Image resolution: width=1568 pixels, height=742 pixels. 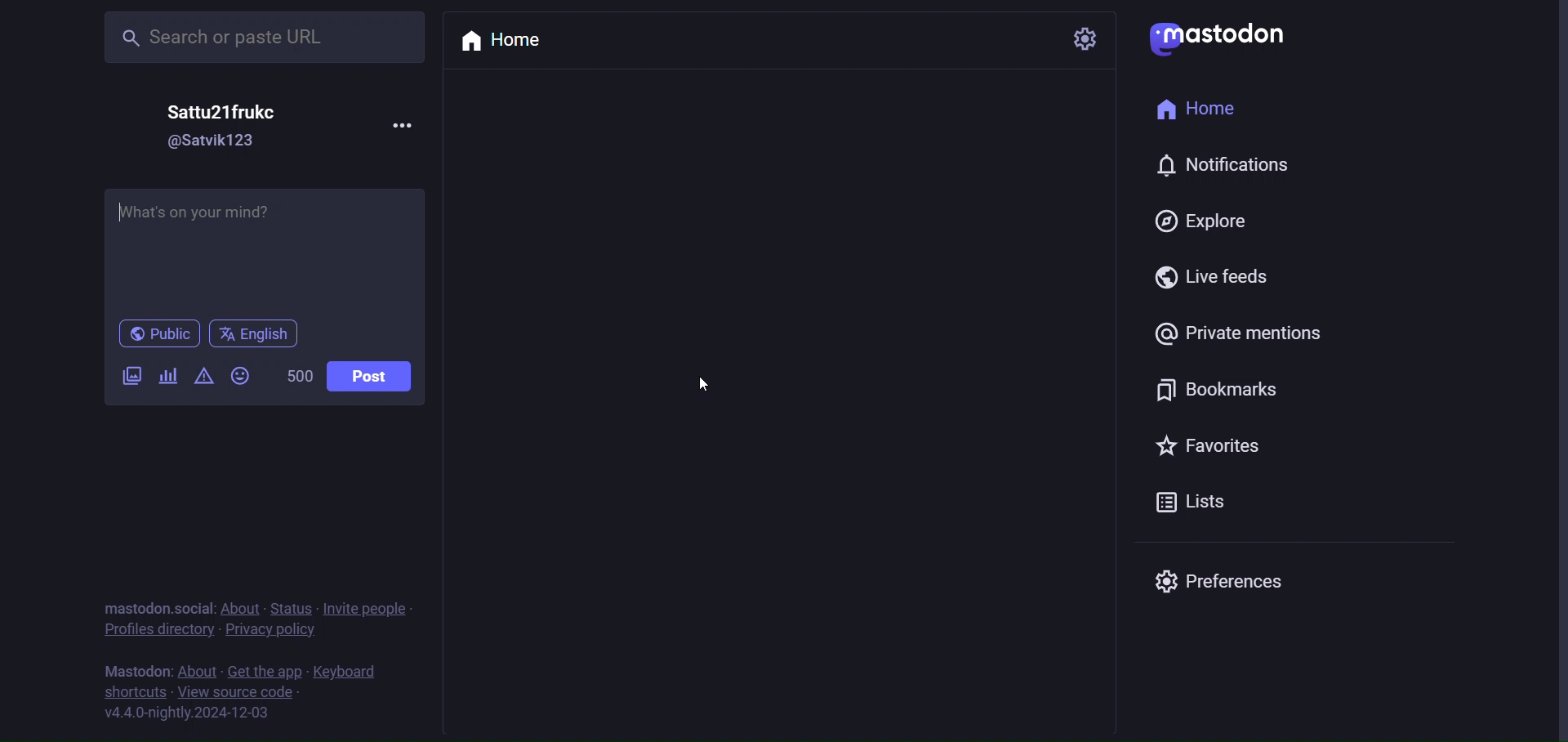 What do you see at coordinates (698, 386) in the screenshot?
I see `Cursor` at bounding box center [698, 386].